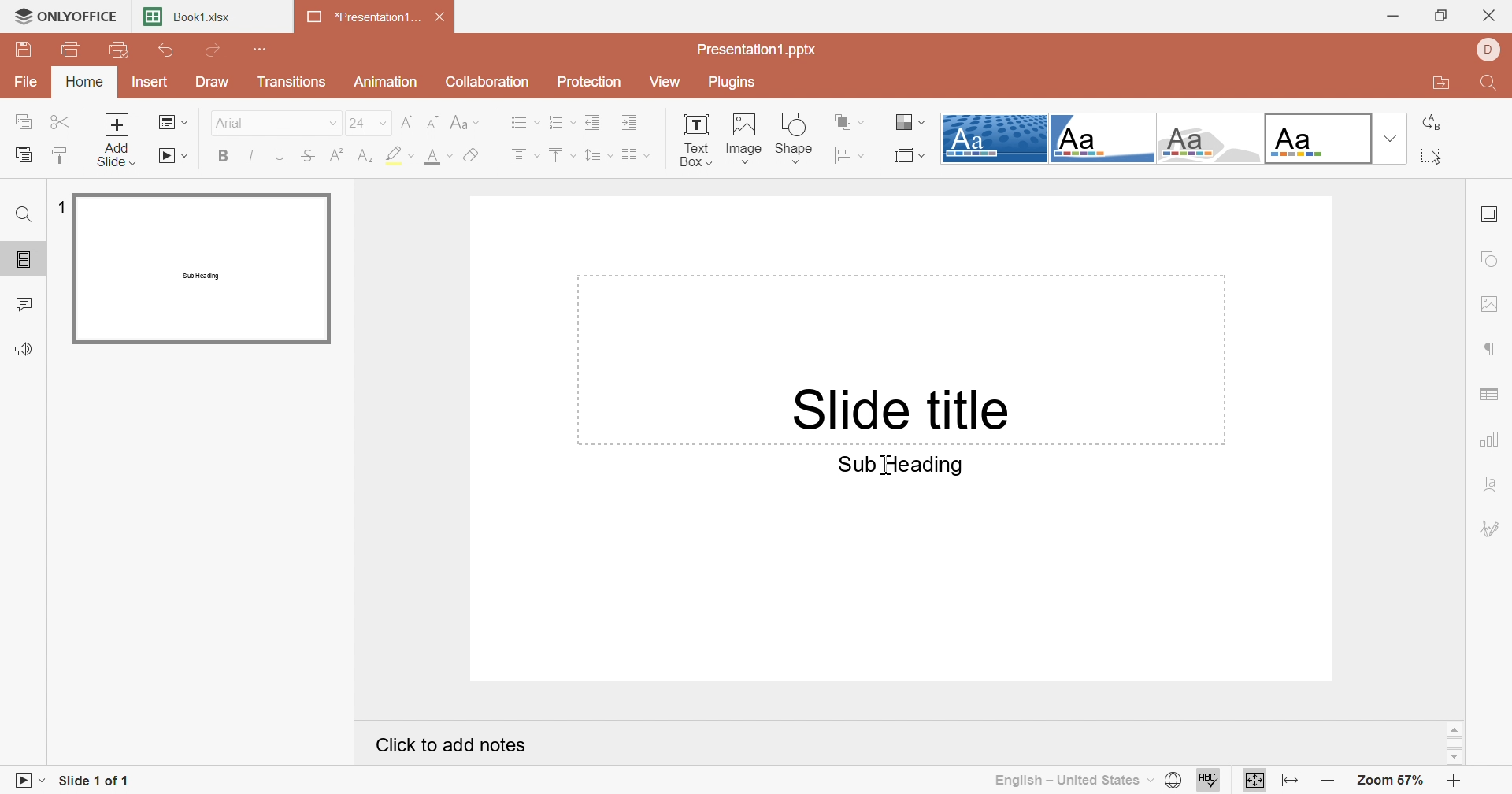  What do you see at coordinates (28, 303) in the screenshot?
I see `Comments` at bounding box center [28, 303].